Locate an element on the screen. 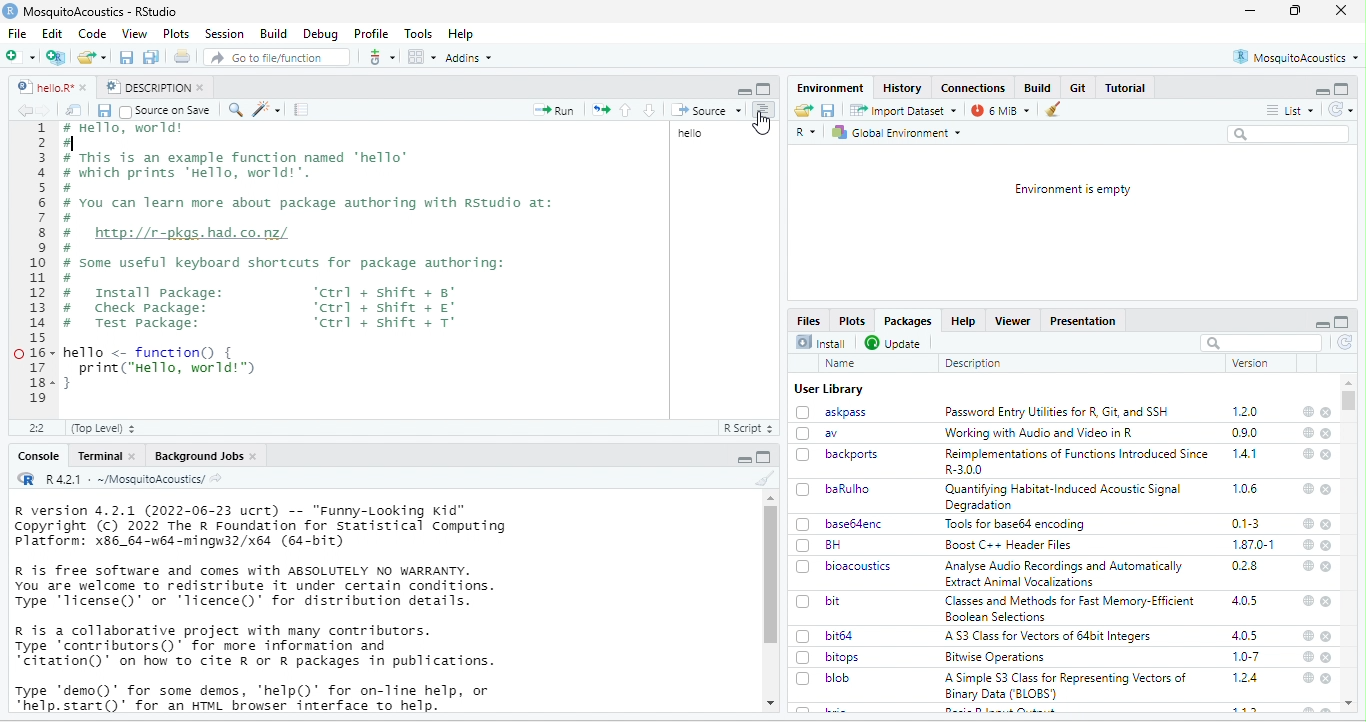 This screenshot has width=1366, height=722. DESCRIPTION is located at coordinates (154, 87).